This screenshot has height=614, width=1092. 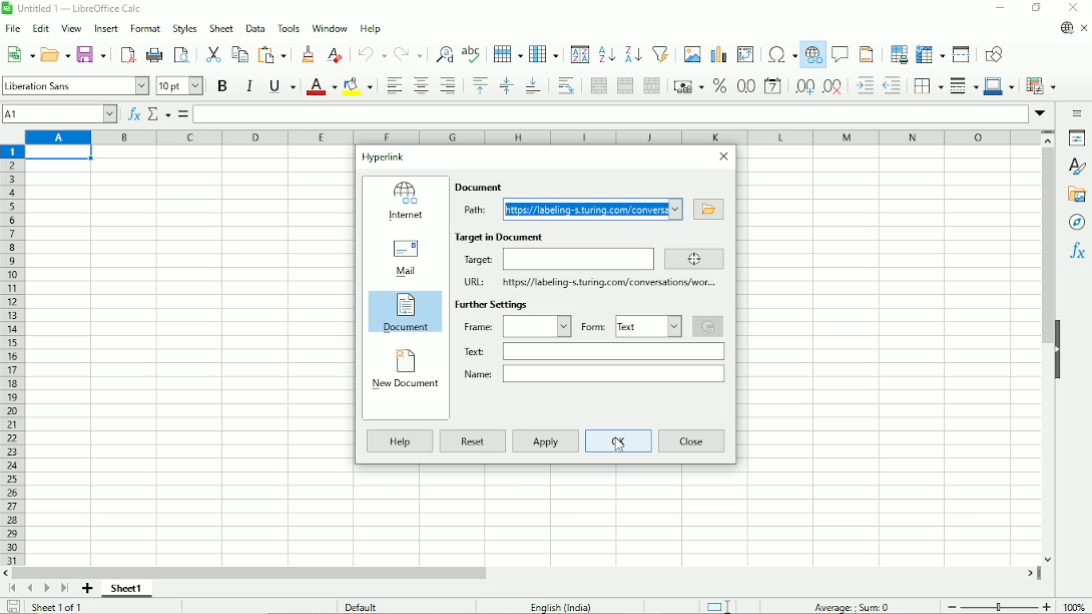 I want to click on Toggle print preview, so click(x=183, y=54).